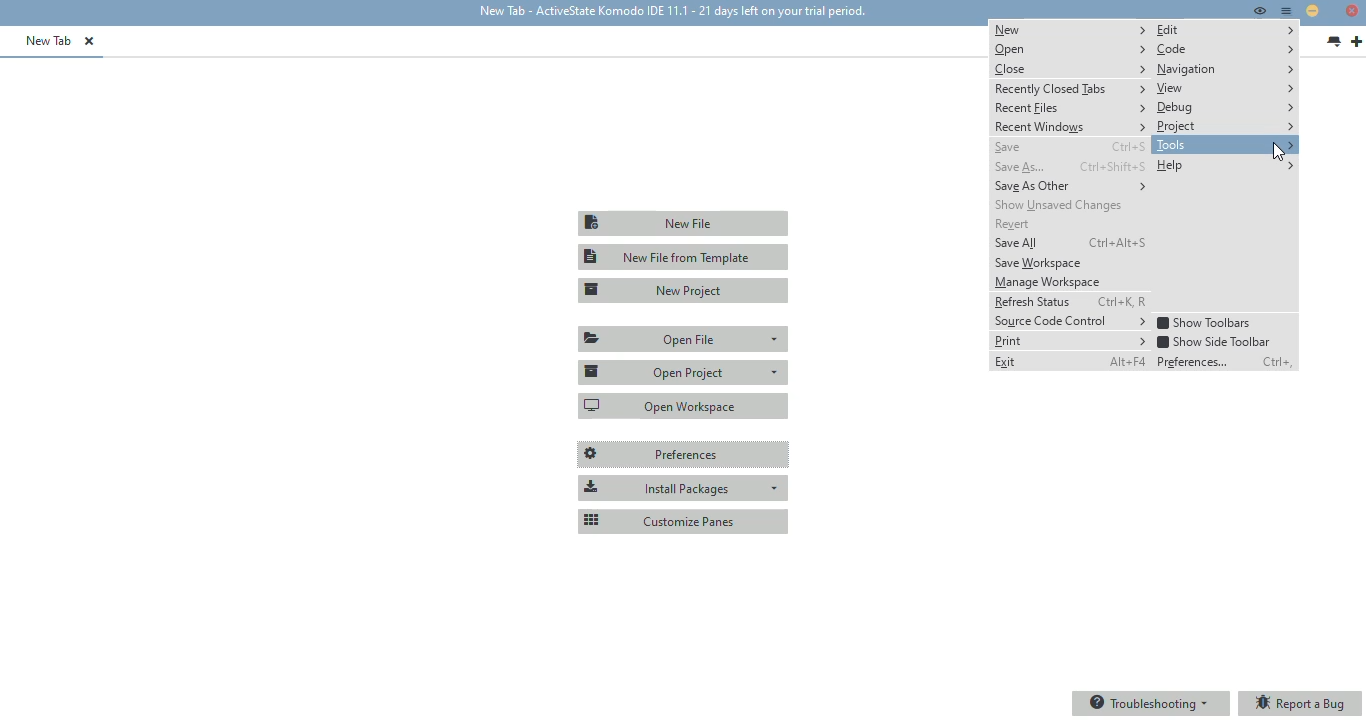 This screenshot has height=720, width=1366. I want to click on install packages, so click(683, 488).